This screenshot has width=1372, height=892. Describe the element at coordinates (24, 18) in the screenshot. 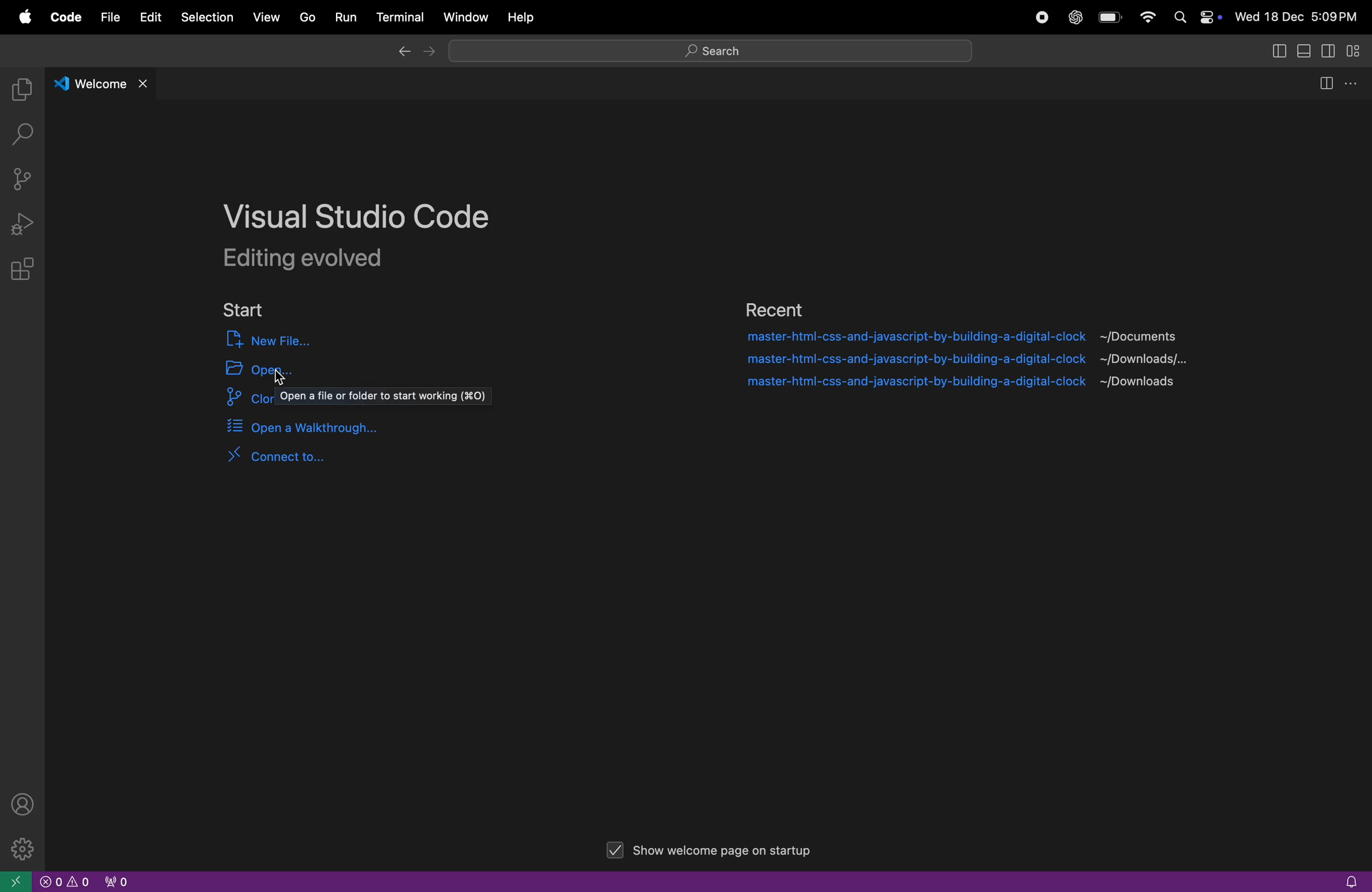

I see `apple menu` at that location.